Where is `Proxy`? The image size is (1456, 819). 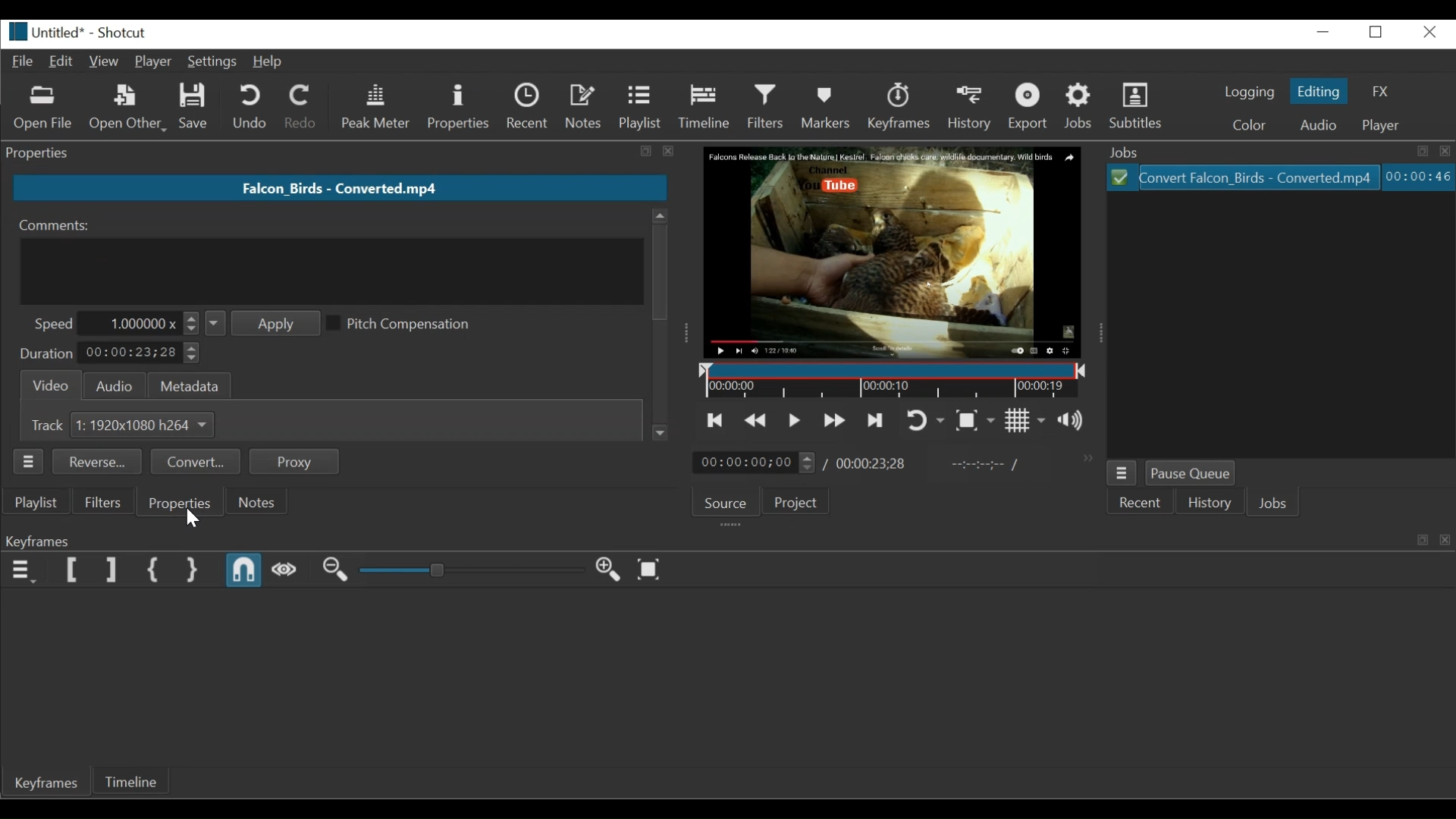
Proxy is located at coordinates (294, 461).